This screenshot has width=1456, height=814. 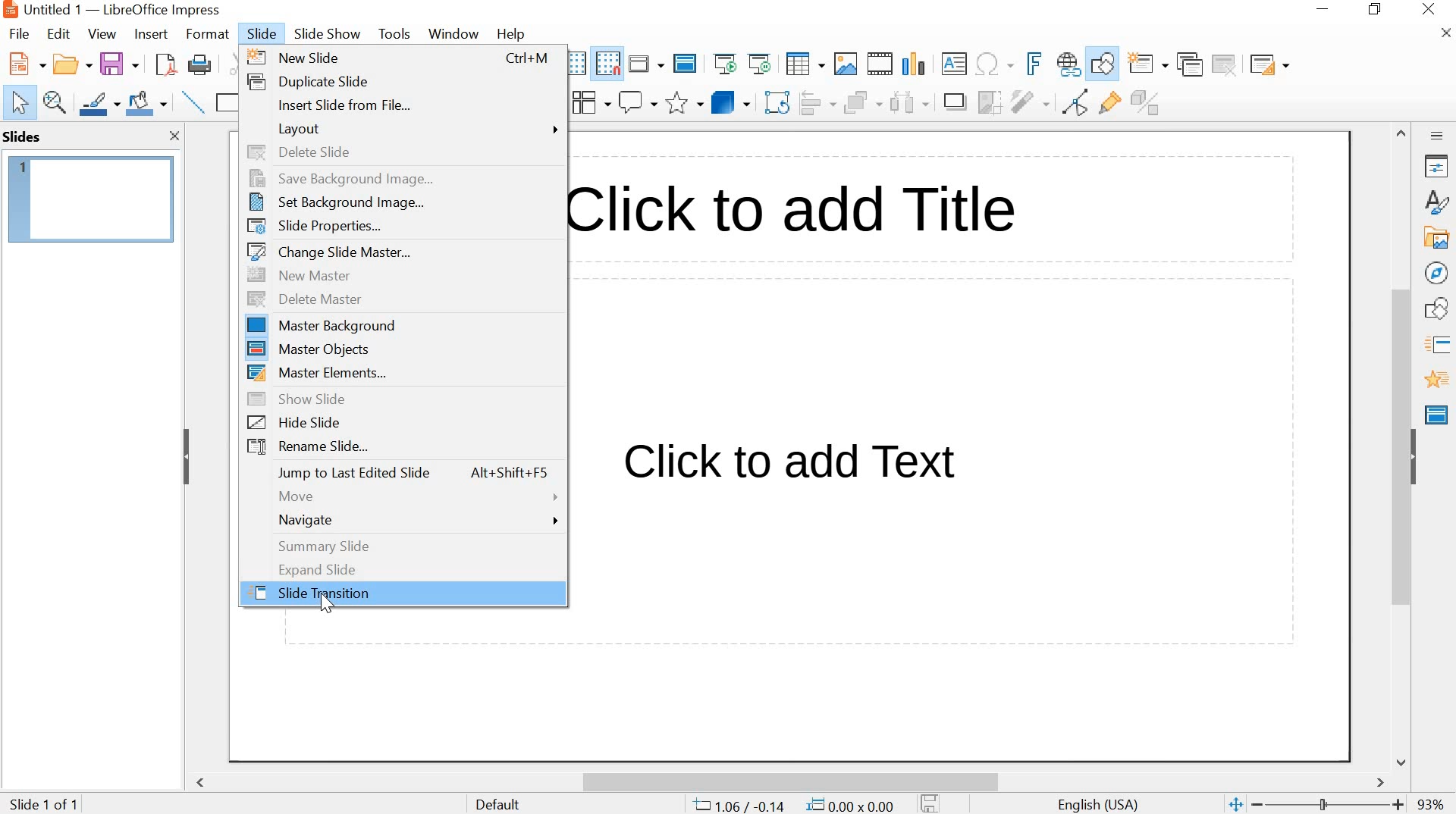 I want to click on delete slide, so click(x=400, y=154).